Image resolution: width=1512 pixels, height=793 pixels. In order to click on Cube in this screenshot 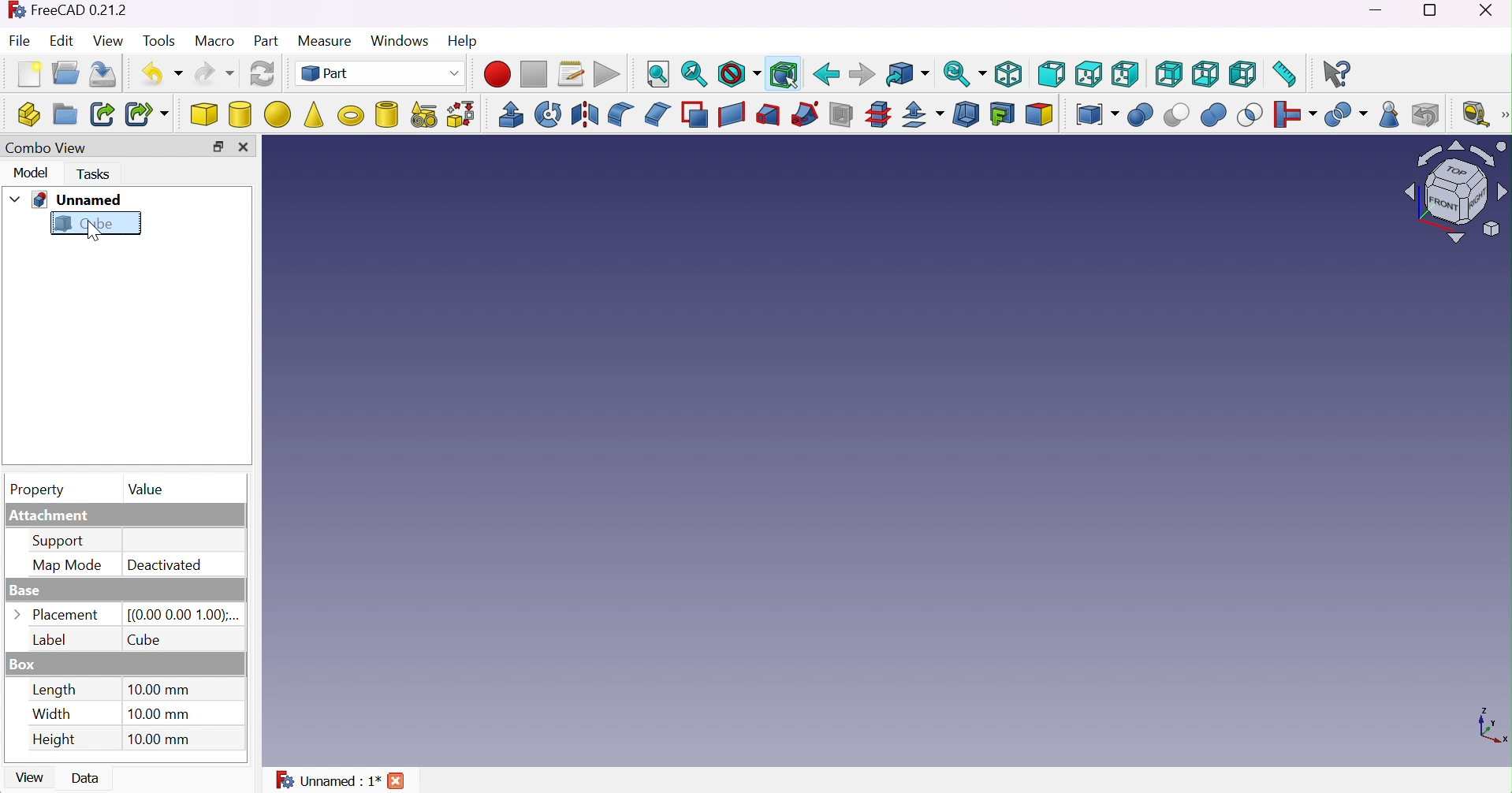, I will do `click(888, 453)`.